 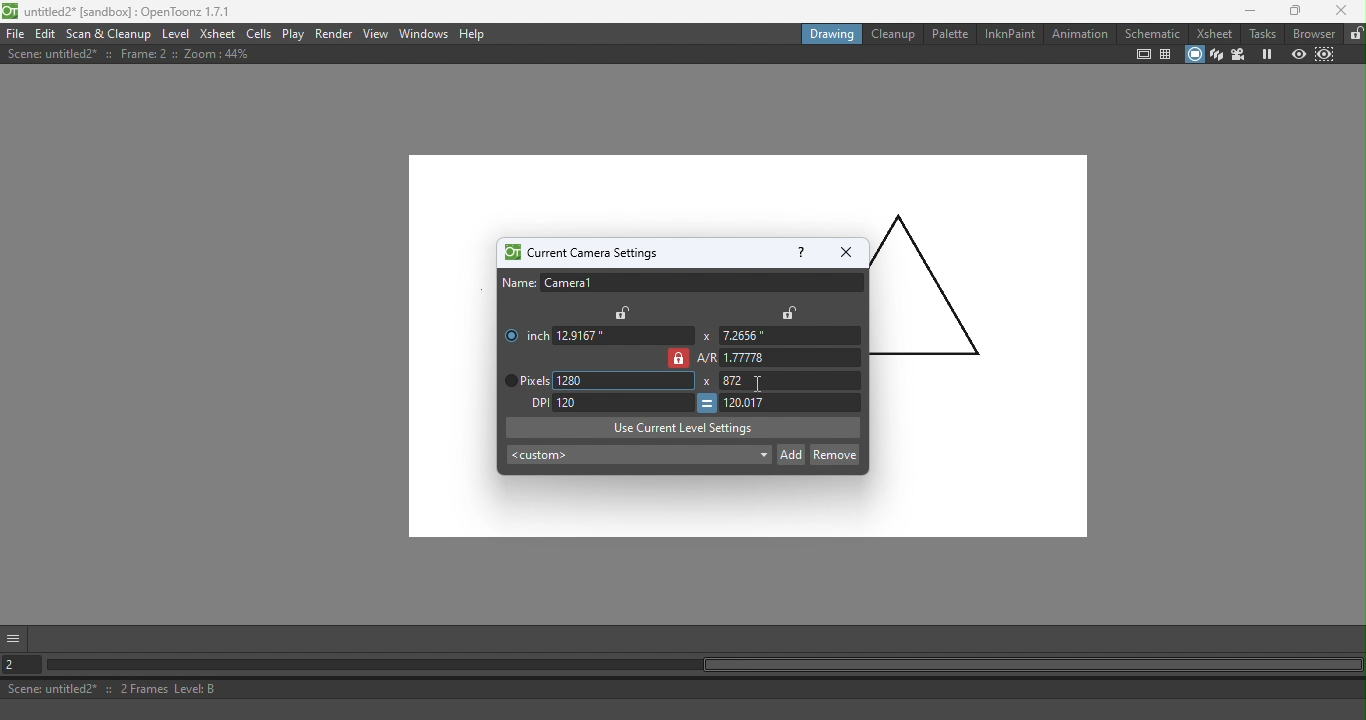 I want to click on Safe area, so click(x=1144, y=55).